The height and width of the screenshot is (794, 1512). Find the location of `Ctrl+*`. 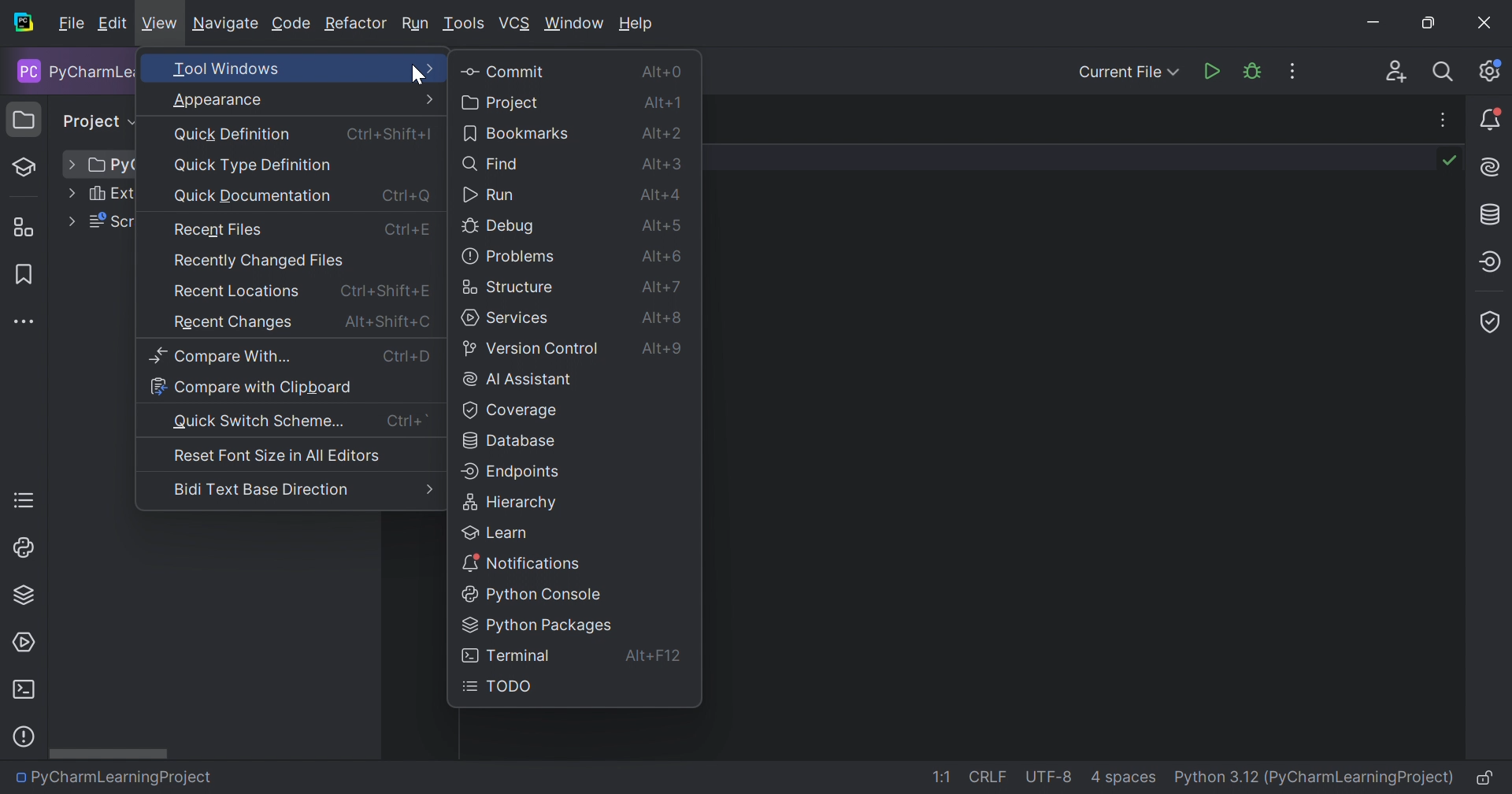

Ctrl+* is located at coordinates (408, 421).